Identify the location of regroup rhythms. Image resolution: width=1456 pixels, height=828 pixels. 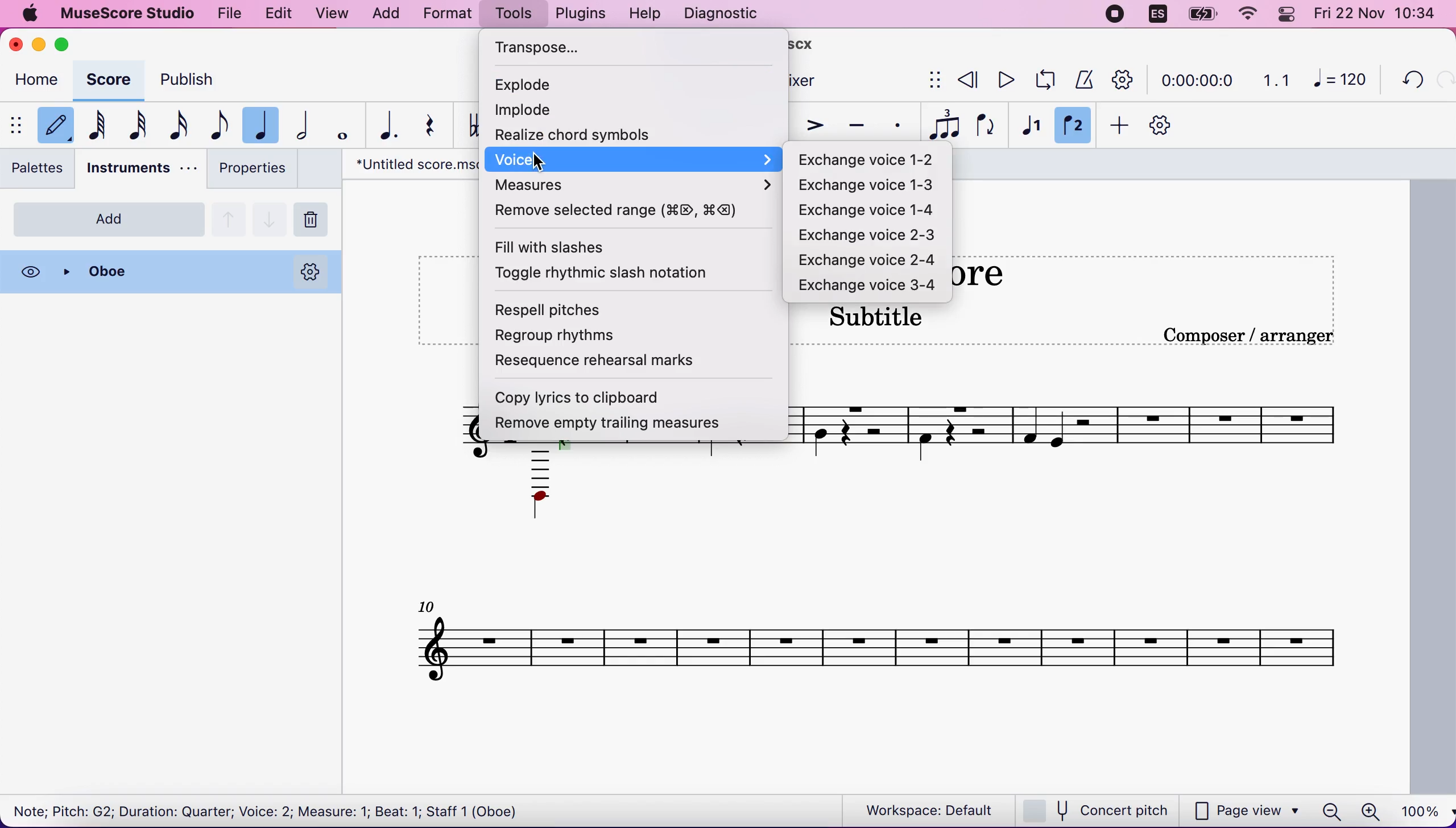
(577, 336).